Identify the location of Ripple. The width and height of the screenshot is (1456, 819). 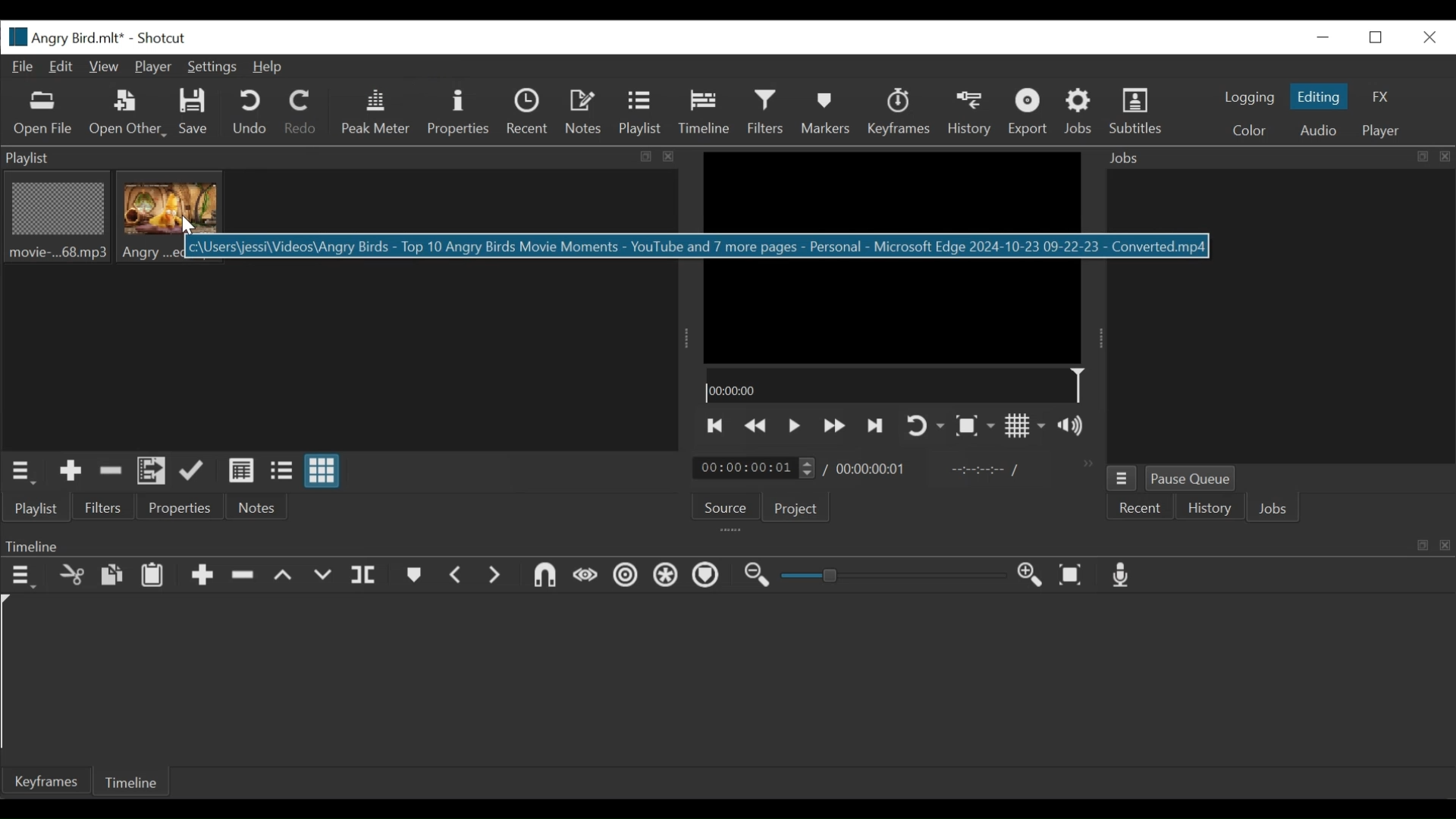
(626, 578).